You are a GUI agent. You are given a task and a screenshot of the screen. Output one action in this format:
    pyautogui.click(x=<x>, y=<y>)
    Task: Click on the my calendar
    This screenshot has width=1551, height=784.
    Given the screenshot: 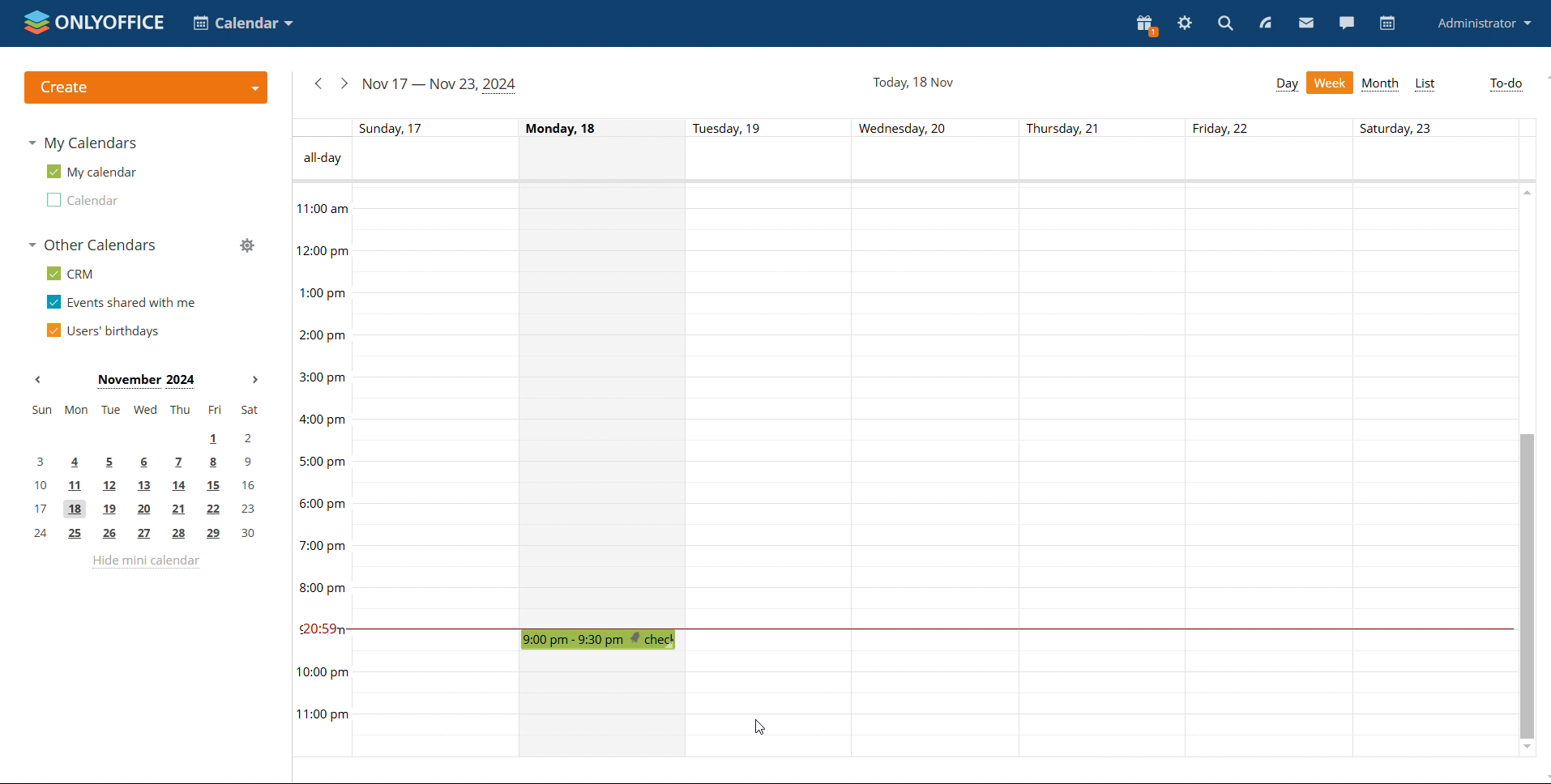 What is the action you would take?
    pyautogui.click(x=91, y=172)
    